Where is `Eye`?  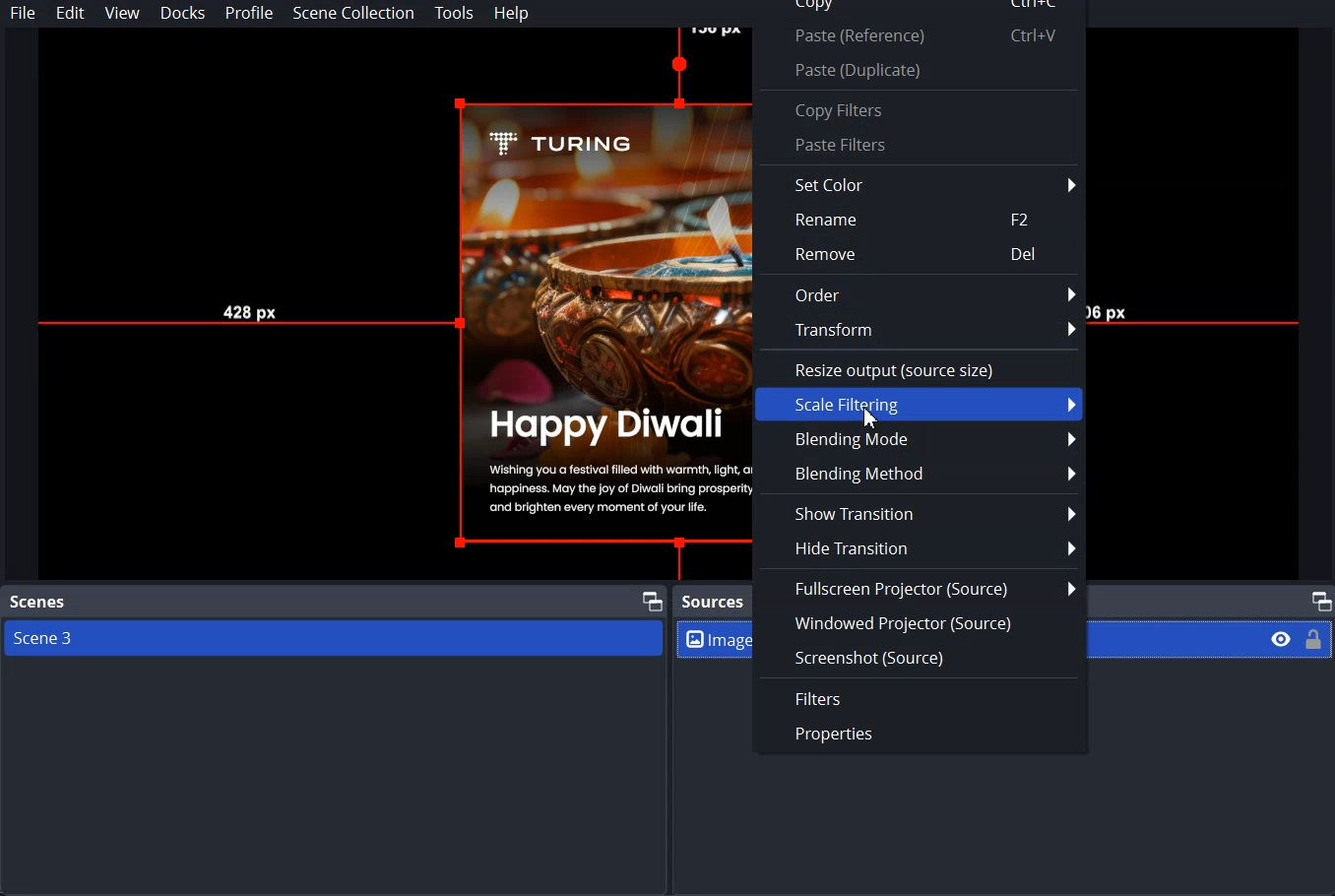 Eye is located at coordinates (1282, 638).